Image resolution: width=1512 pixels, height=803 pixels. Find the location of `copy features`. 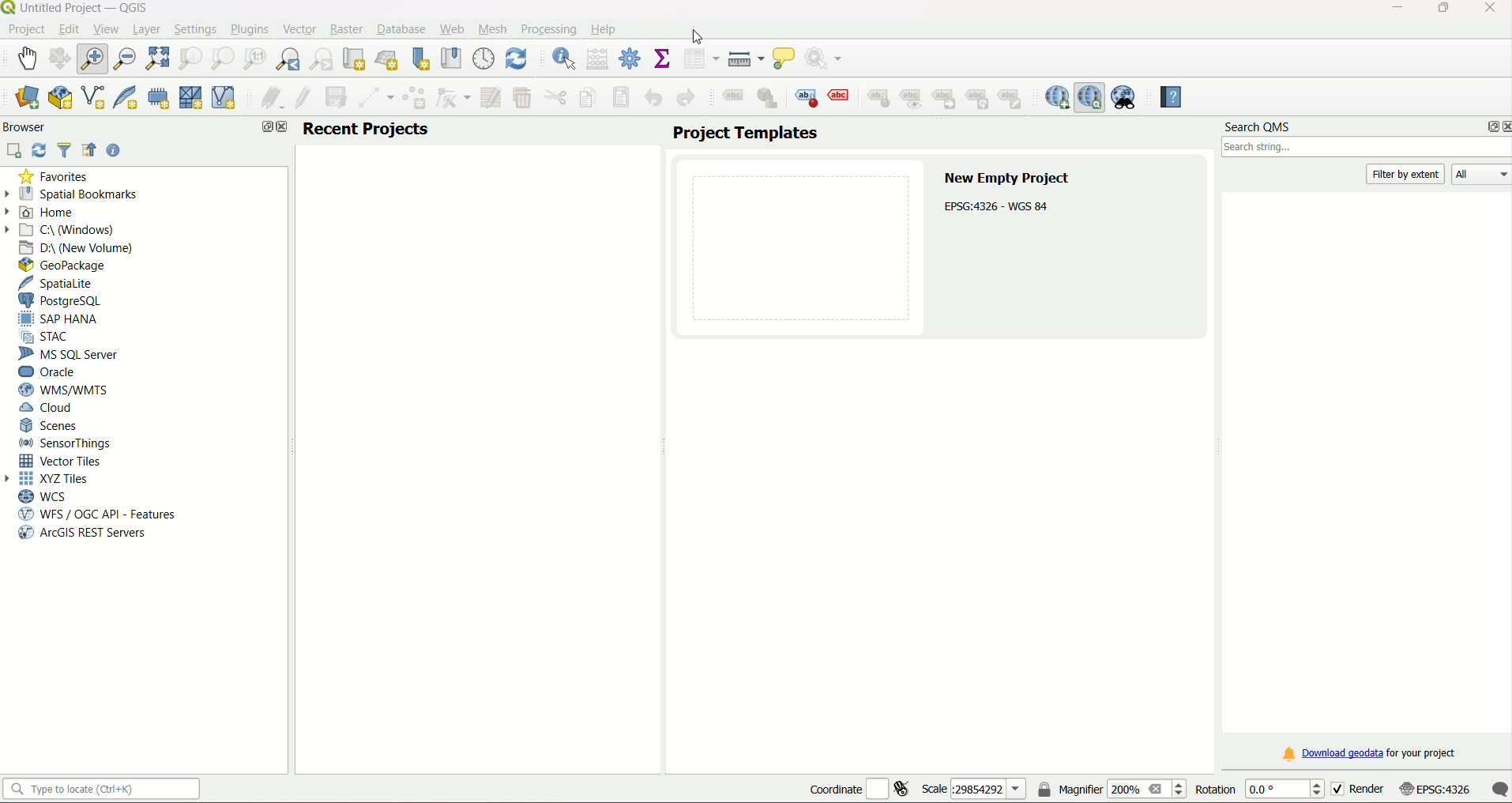

copy features is located at coordinates (587, 98).